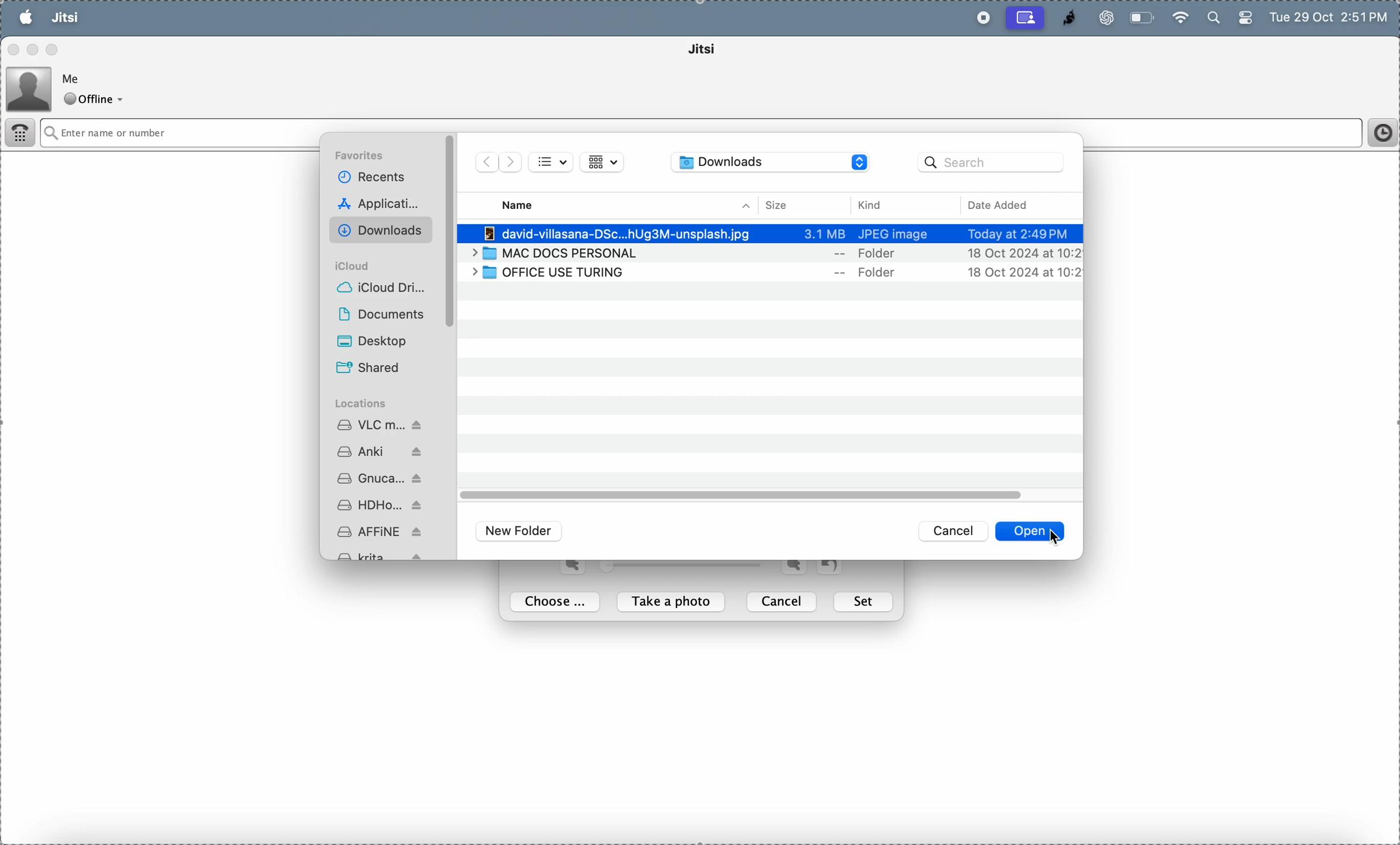 The image size is (1400, 845). Describe the element at coordinates (382, 286) in the screenshot. I see `i cloud drive` at that location.